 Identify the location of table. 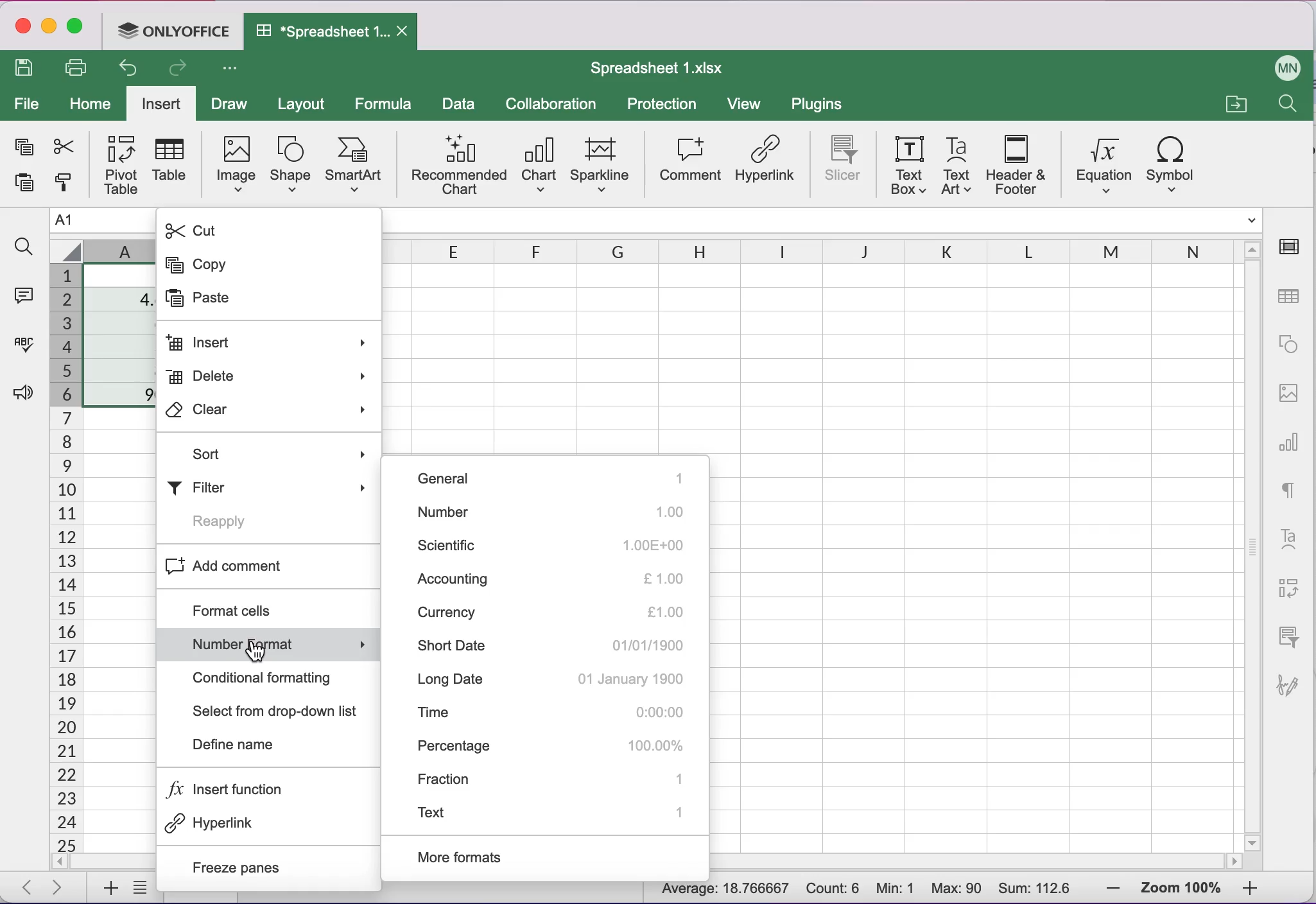
(173, 164).